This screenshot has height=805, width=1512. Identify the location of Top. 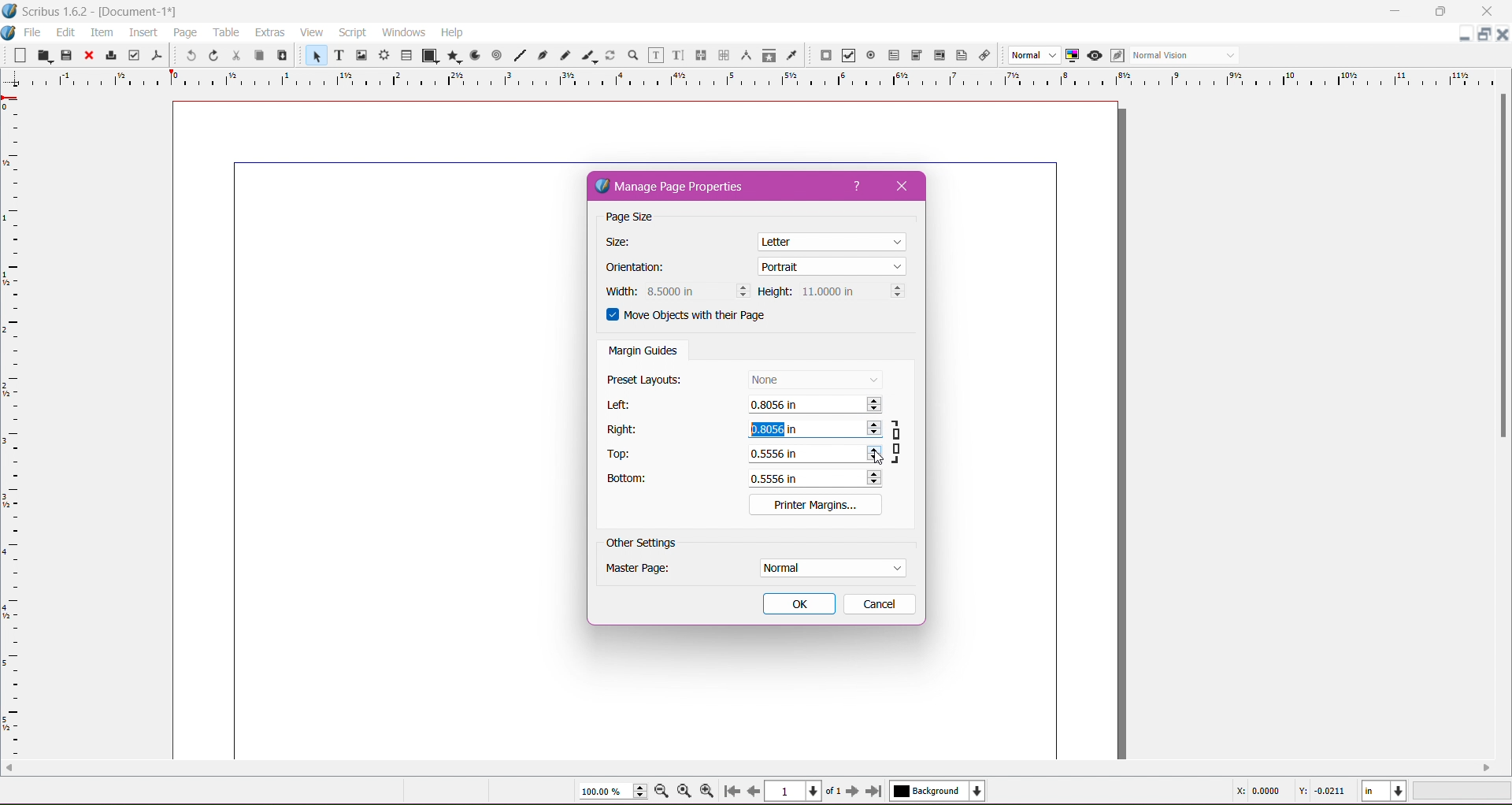
(624, 454).